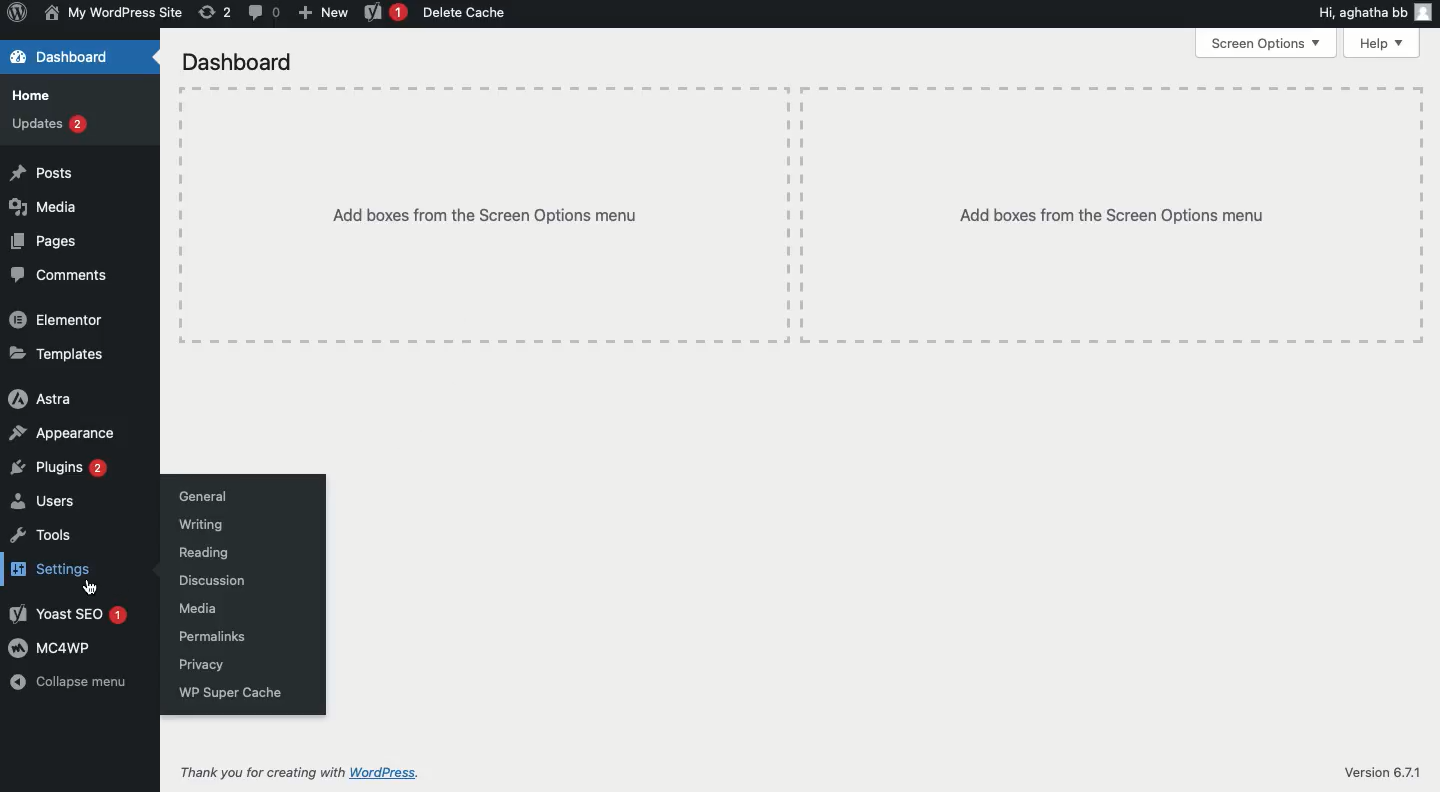 The image size is (1440, 792). What do you see at coordinates (57, 468) in the screenshot?
I see `Plugins` at bounding box center [57, 468].